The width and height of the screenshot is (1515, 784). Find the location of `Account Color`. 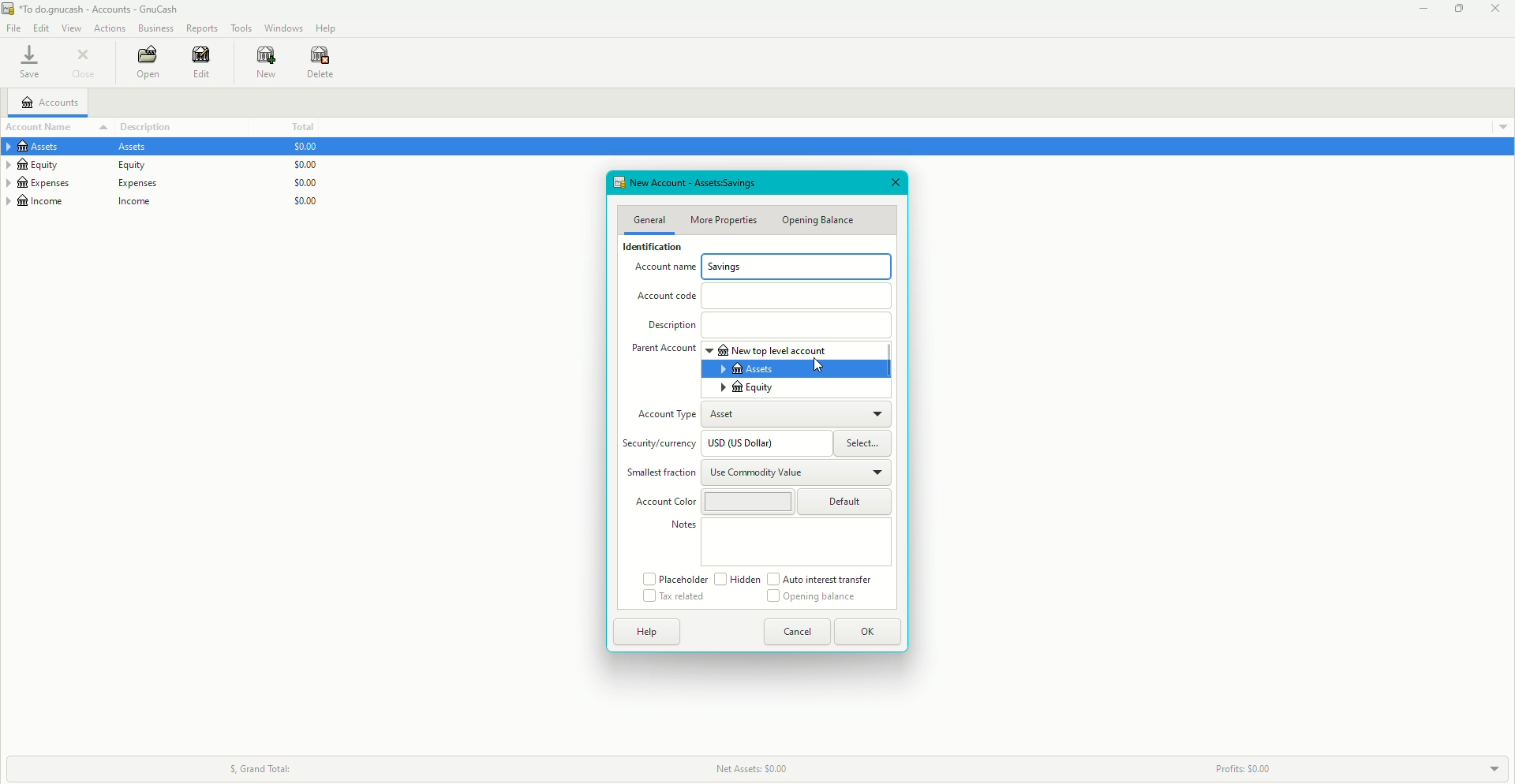

Account Color is located at coordinates (664, 502).